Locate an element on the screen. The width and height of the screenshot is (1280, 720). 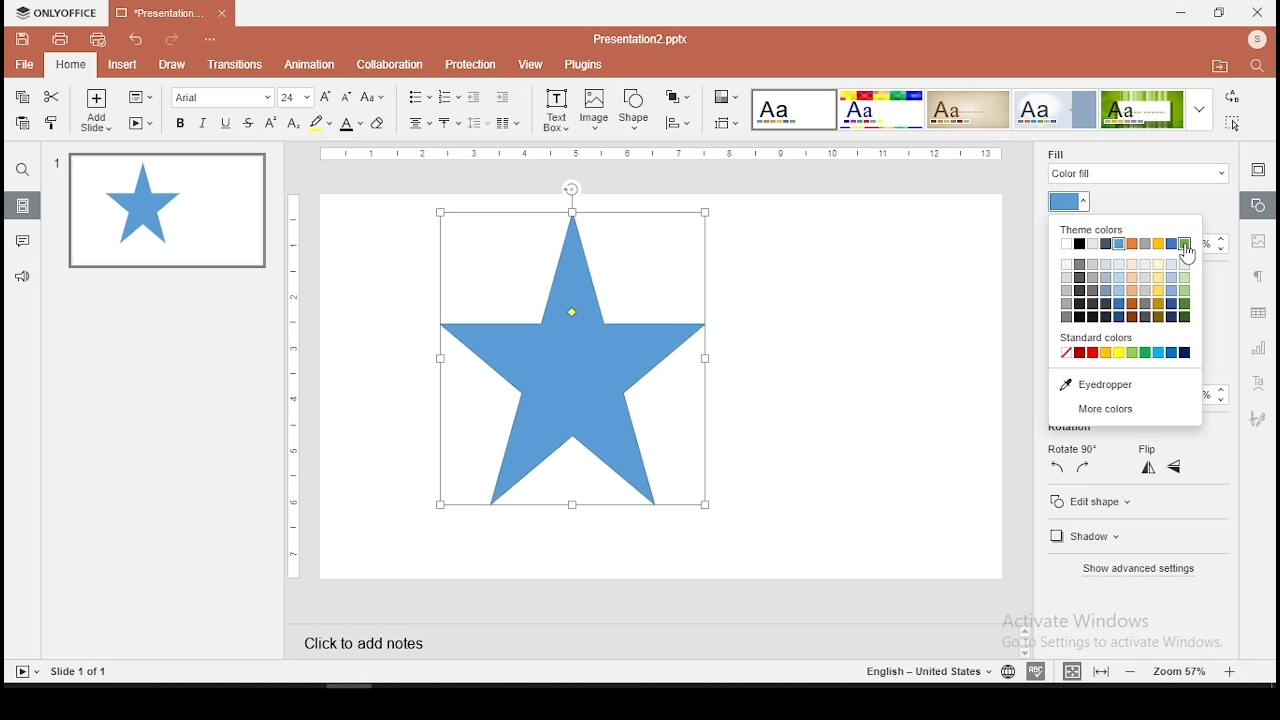
slide 1 is located at coordinates (170, 213).